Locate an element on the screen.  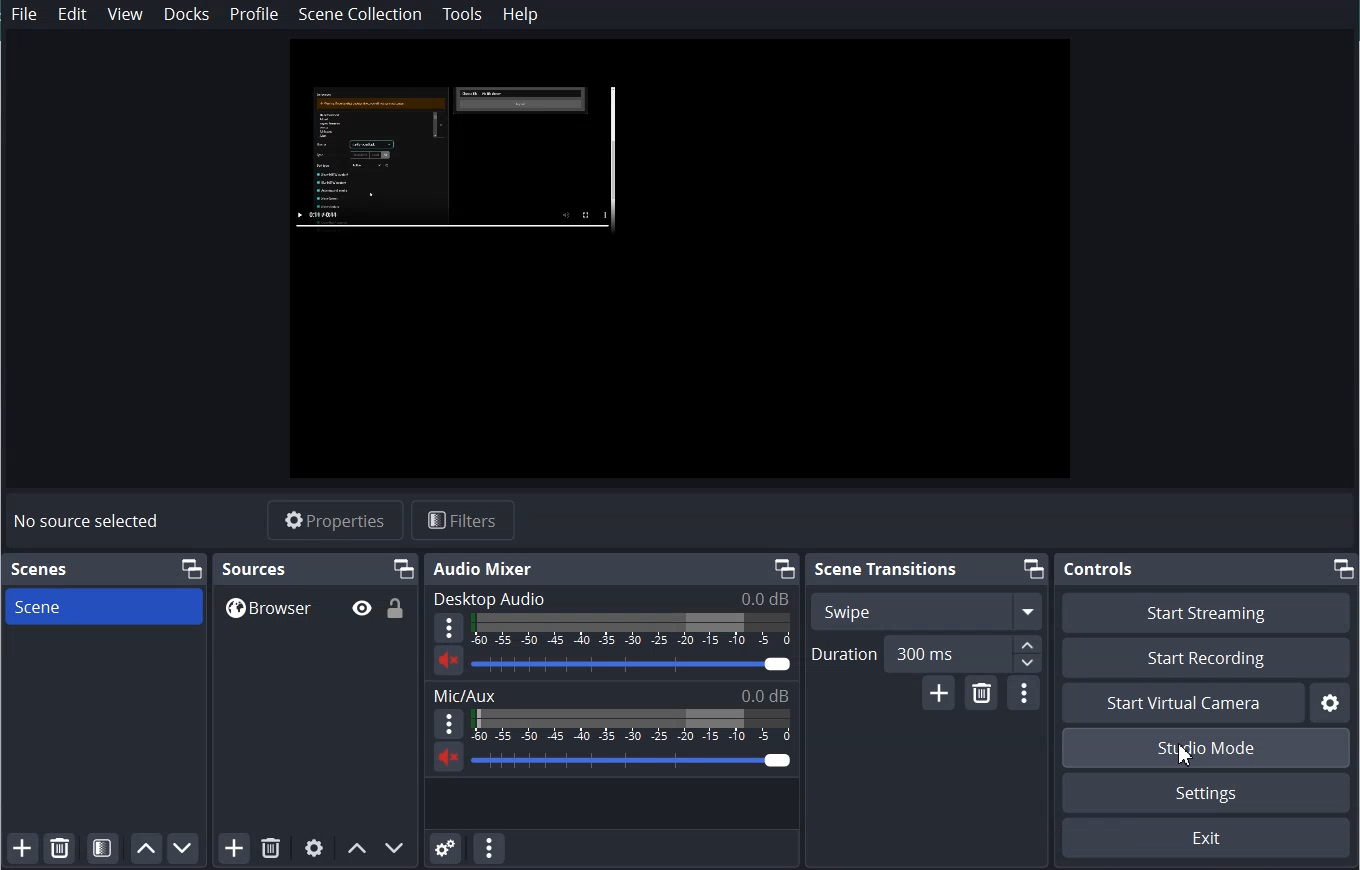
Sound is located at coordinates (448, 660).